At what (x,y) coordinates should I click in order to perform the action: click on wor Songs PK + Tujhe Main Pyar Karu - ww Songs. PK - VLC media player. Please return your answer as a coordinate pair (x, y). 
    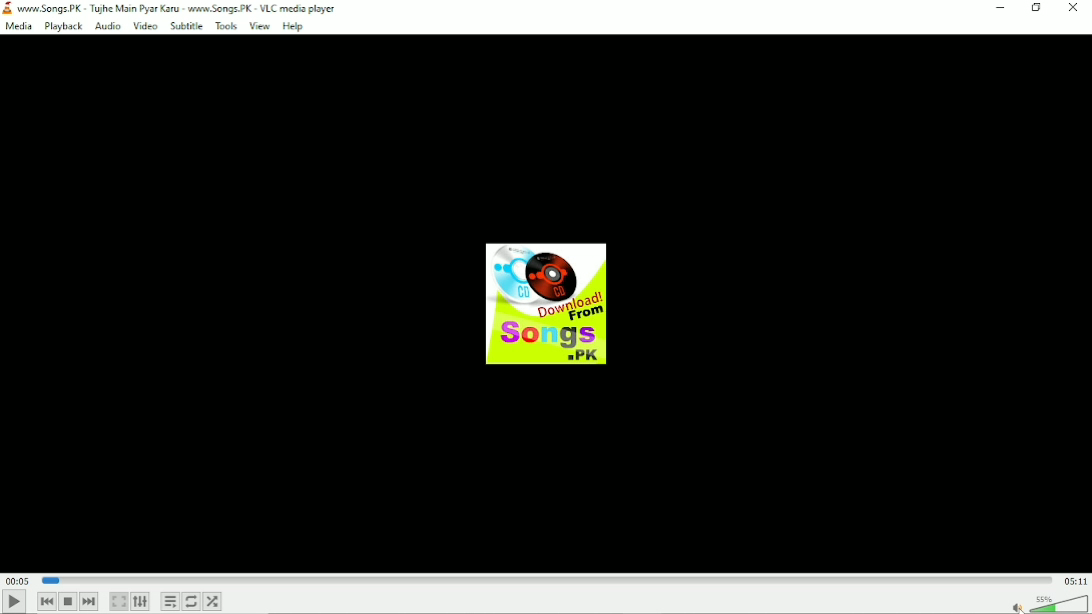
    Looking at the image, I should click on (178, 9).